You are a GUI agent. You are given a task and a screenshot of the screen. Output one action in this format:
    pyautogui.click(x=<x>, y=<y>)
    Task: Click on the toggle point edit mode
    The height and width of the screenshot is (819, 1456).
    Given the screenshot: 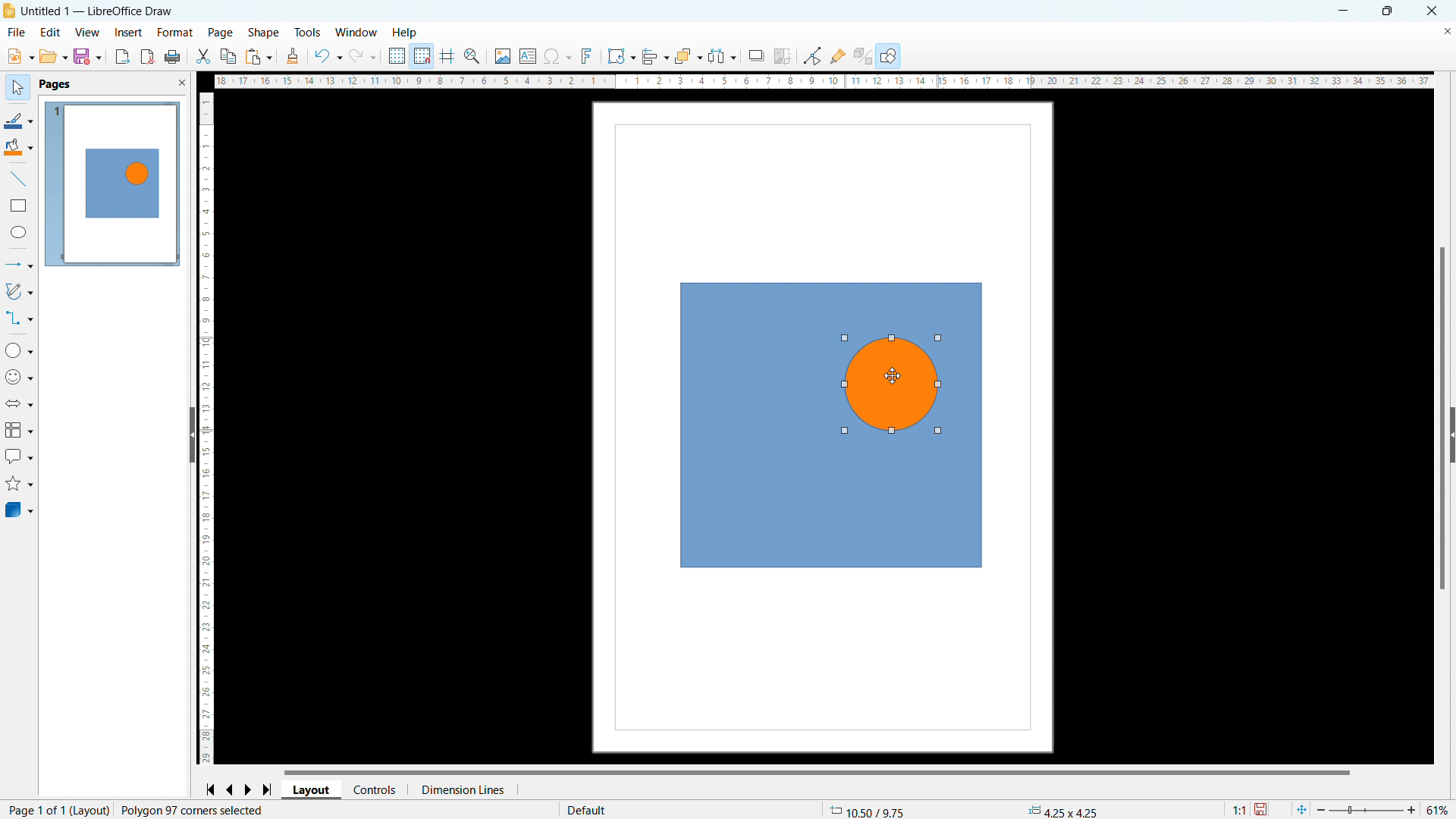 What is the action you would take?
    pyautogui.click(x=812, y=55)
    